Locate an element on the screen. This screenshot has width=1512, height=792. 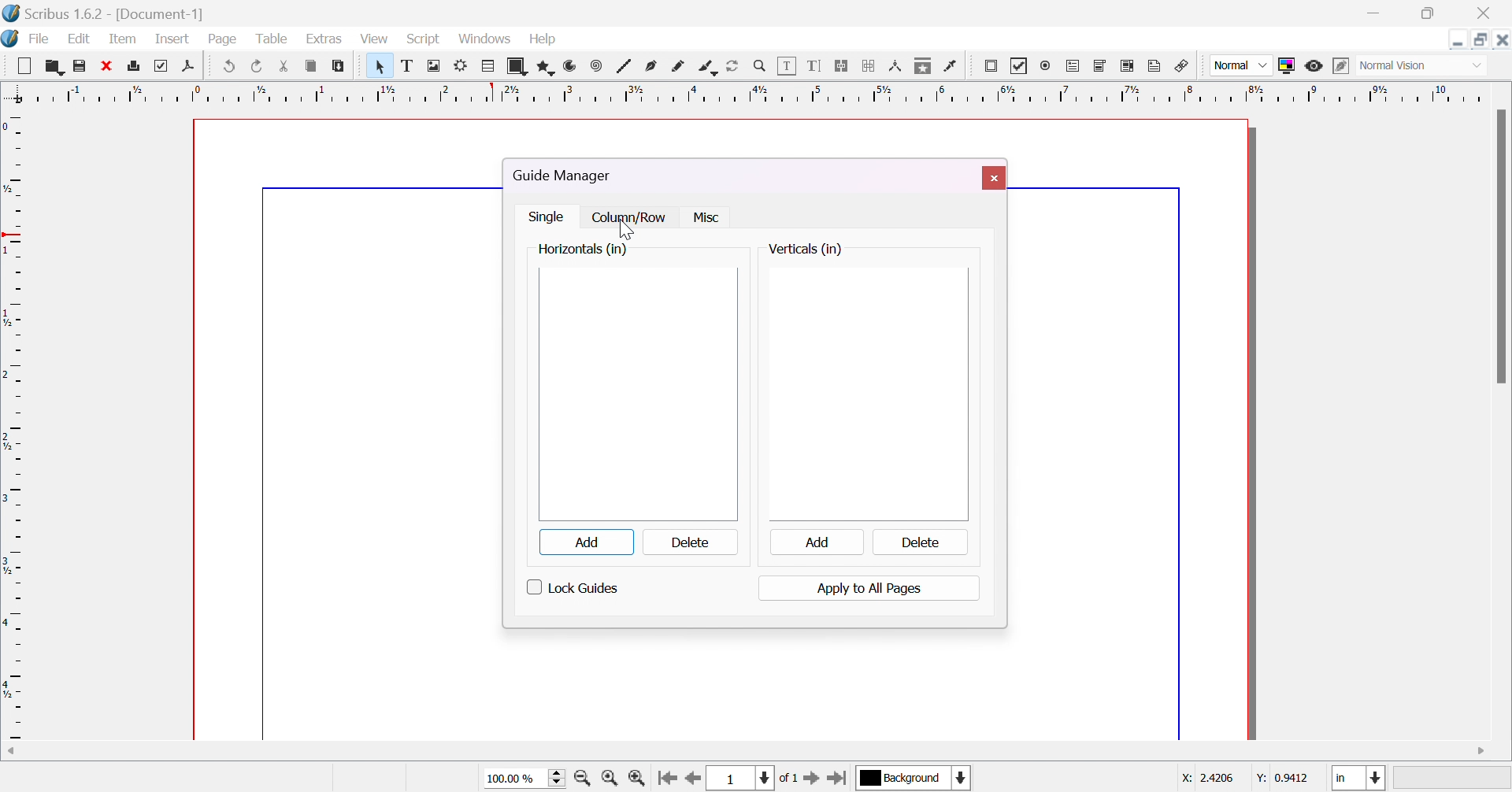
scroll bar is located at coordinates (1503, 246).